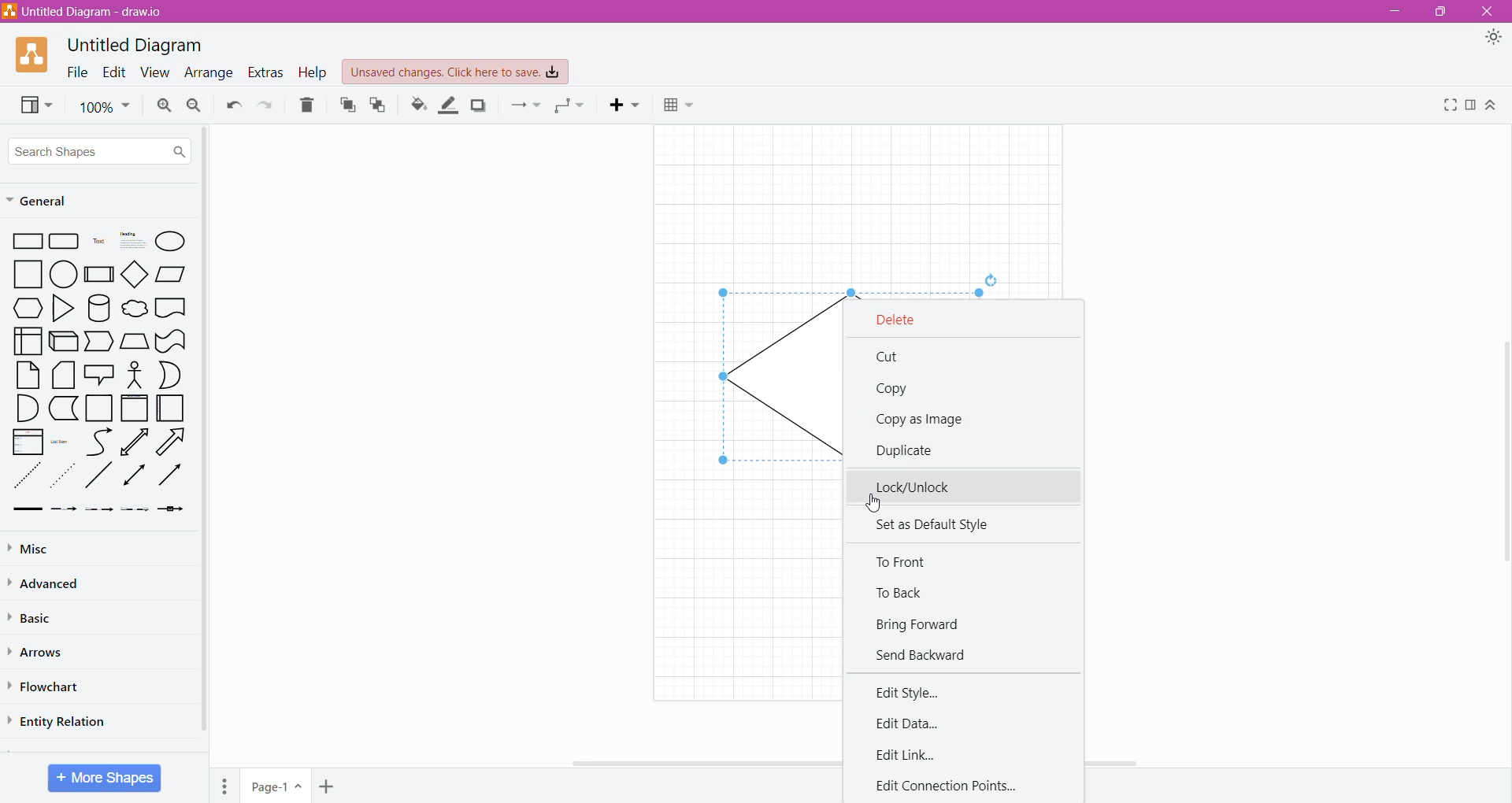 The image size is (1512, 803). Describe the element at coordinates (455, 72) in the screenshot. I see `Unsaved Changes. Click here to save` at that location.